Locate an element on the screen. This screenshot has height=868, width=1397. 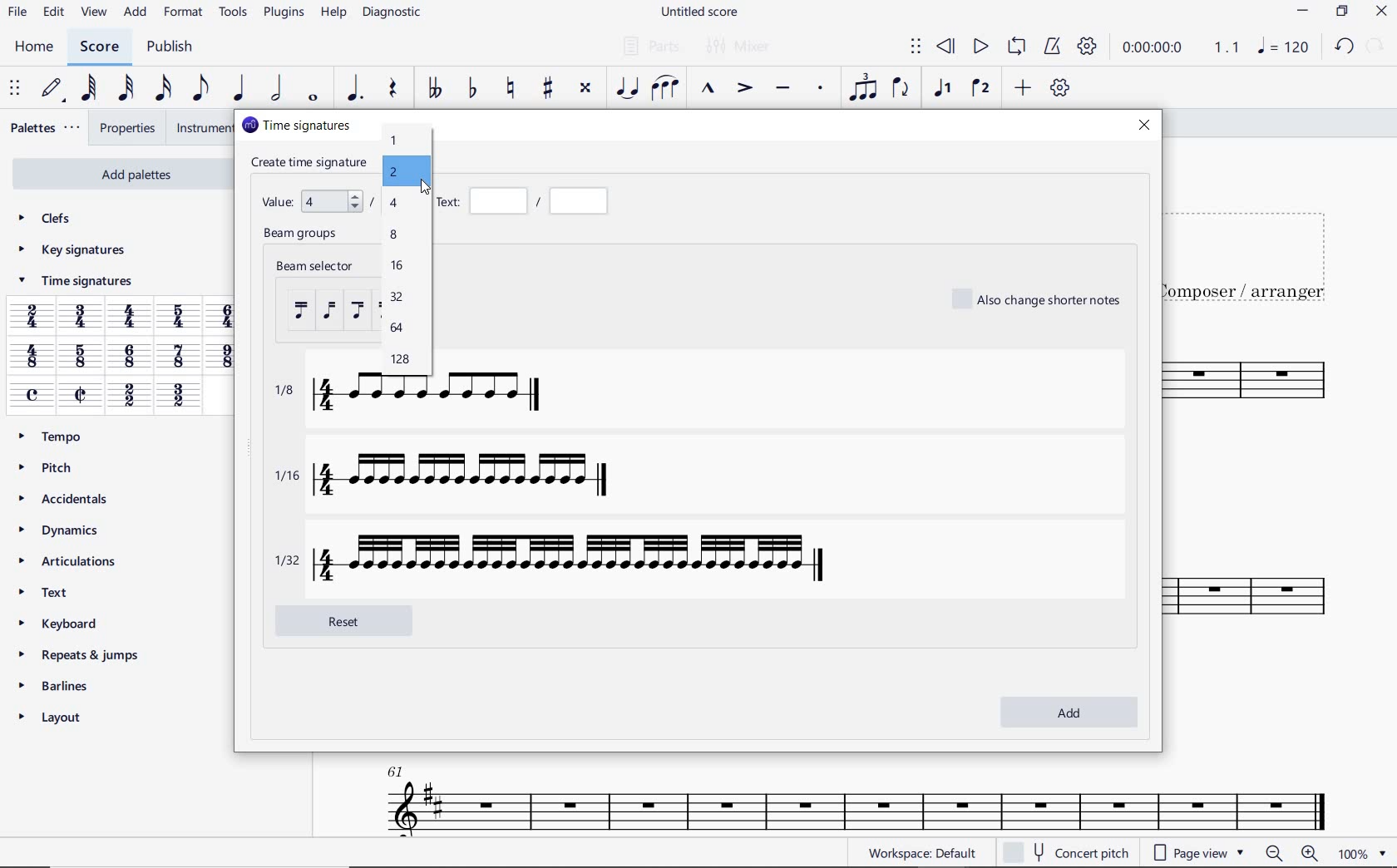
PUBLISH is located at coordinates (173, 47).